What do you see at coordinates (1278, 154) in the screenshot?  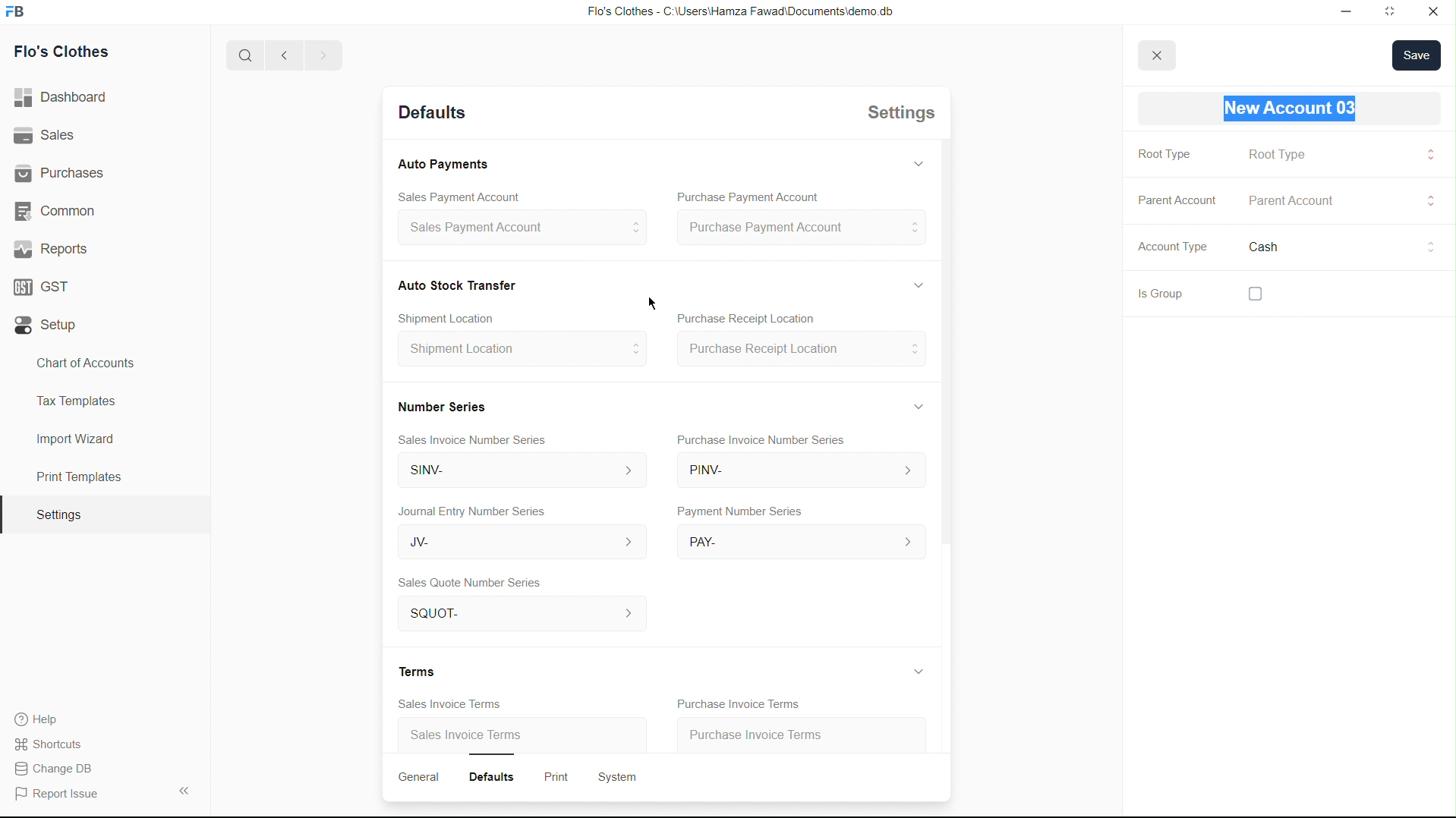 I see `Root Type` at bounding box center [1278, 154].